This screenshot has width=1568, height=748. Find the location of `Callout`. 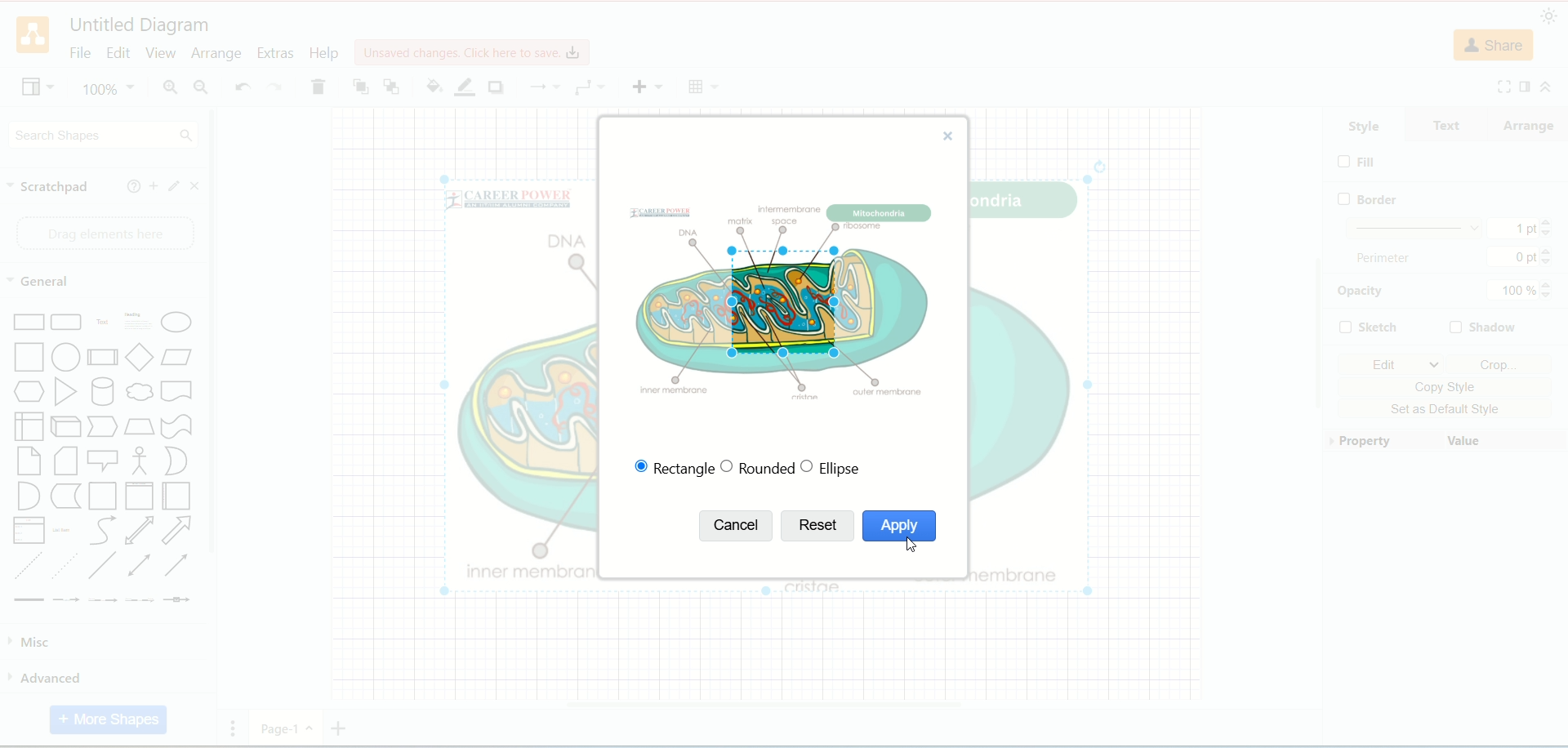

Callout is located at coordinates (102, 463).